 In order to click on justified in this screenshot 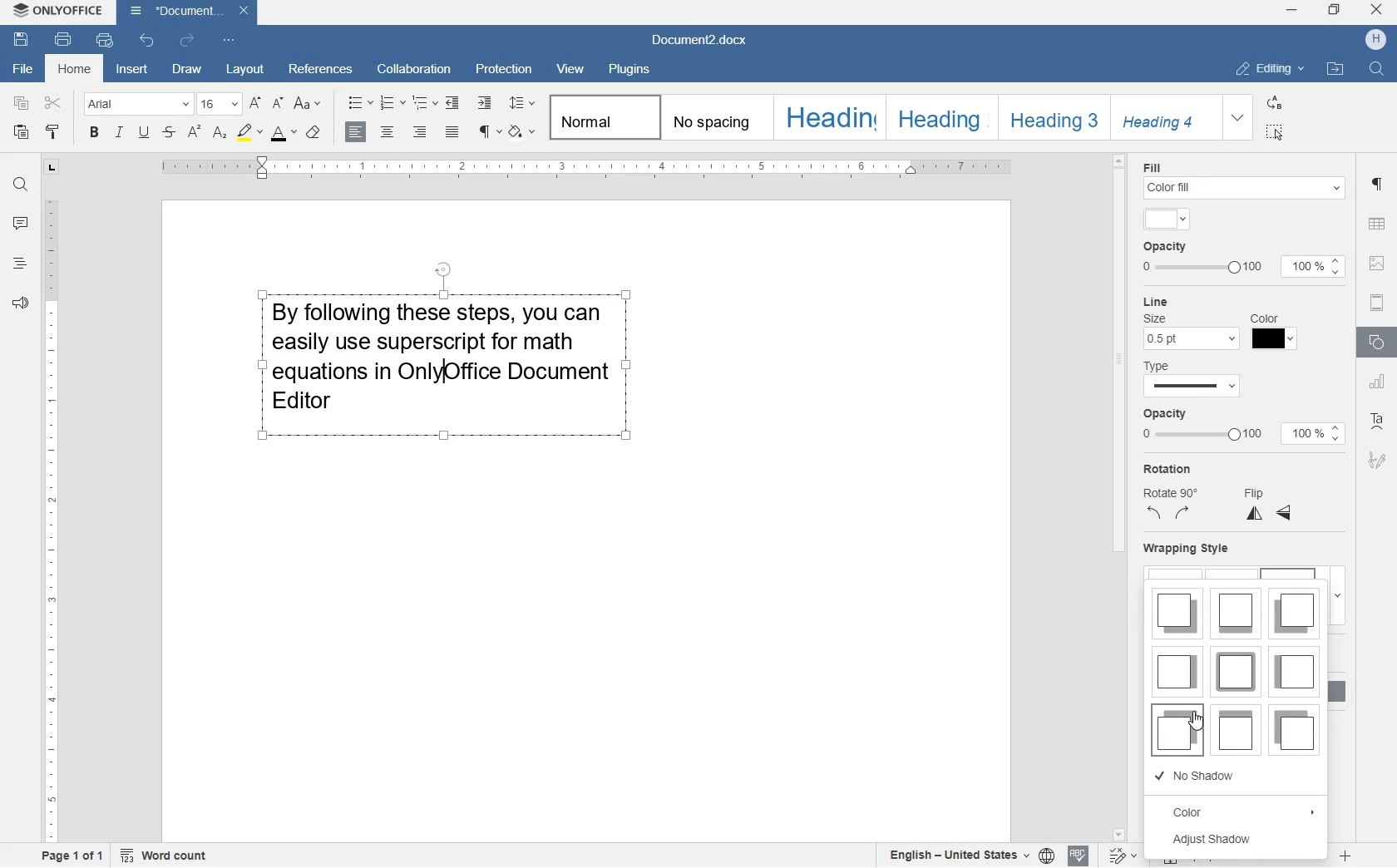, I will do `click(455, 131)`.